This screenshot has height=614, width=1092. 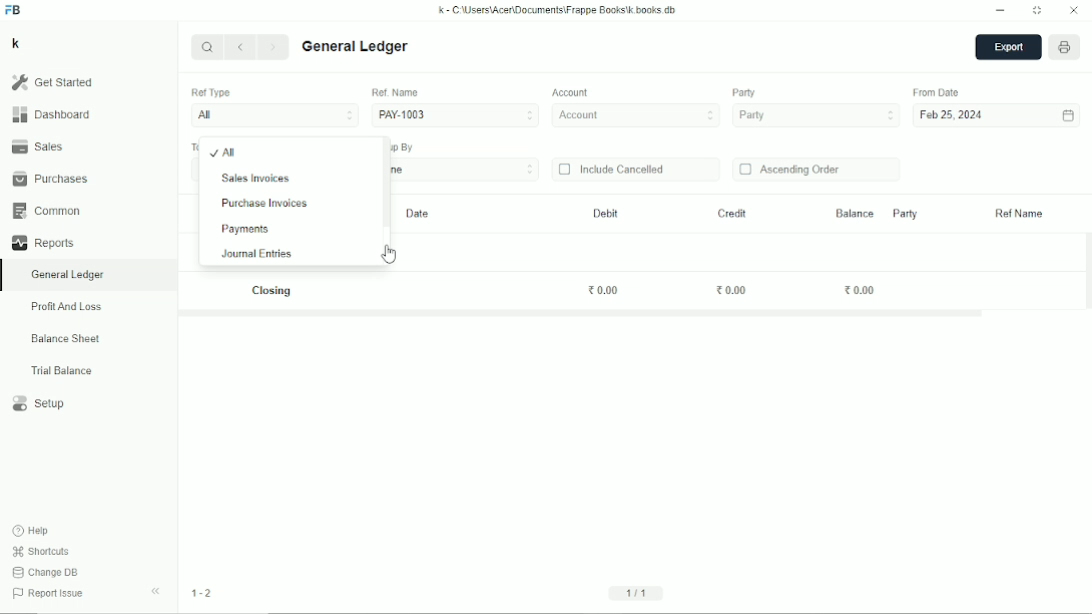 I want to click on Debit, so click(x=606, y=213).